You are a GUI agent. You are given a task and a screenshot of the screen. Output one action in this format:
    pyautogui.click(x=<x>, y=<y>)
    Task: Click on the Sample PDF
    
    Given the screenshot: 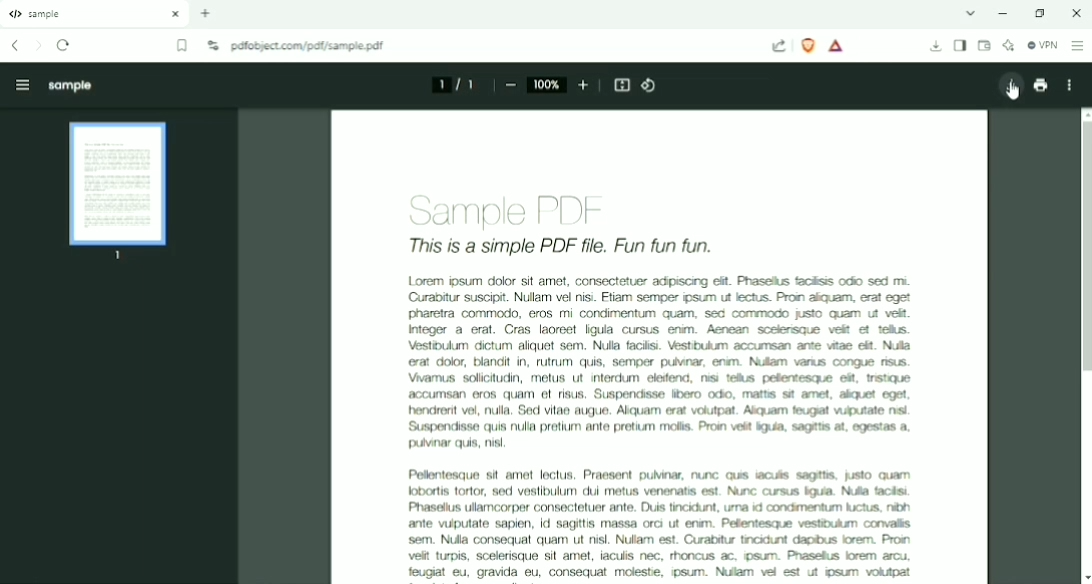 What is the action you would take?
    pyautogui.click(x=509, y=211)
    